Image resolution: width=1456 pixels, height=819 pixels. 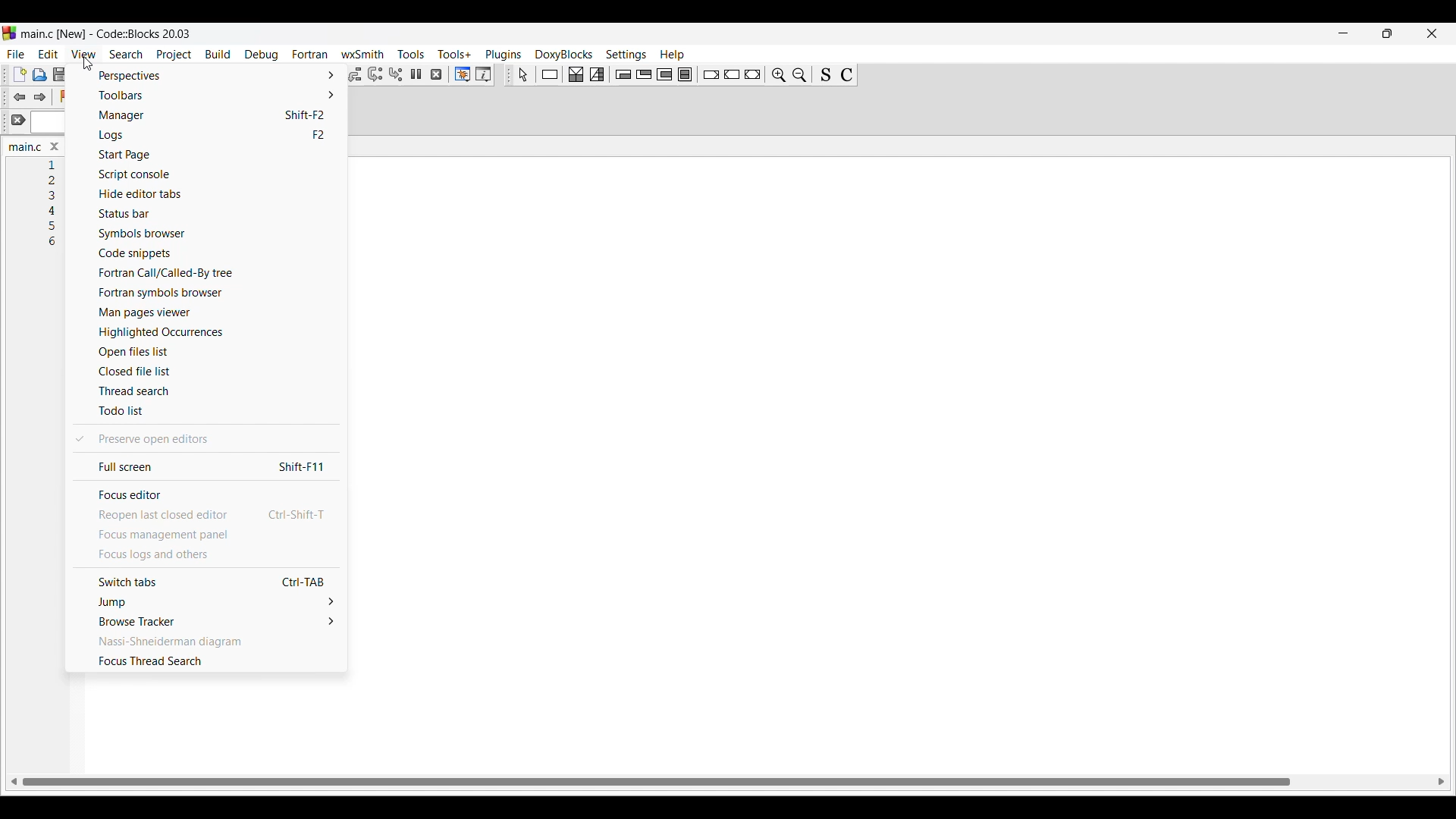 What do you see at coordinates (210, 313) in the screenshot?
I see `Man pages viewer` at bounding box center [210, 313].